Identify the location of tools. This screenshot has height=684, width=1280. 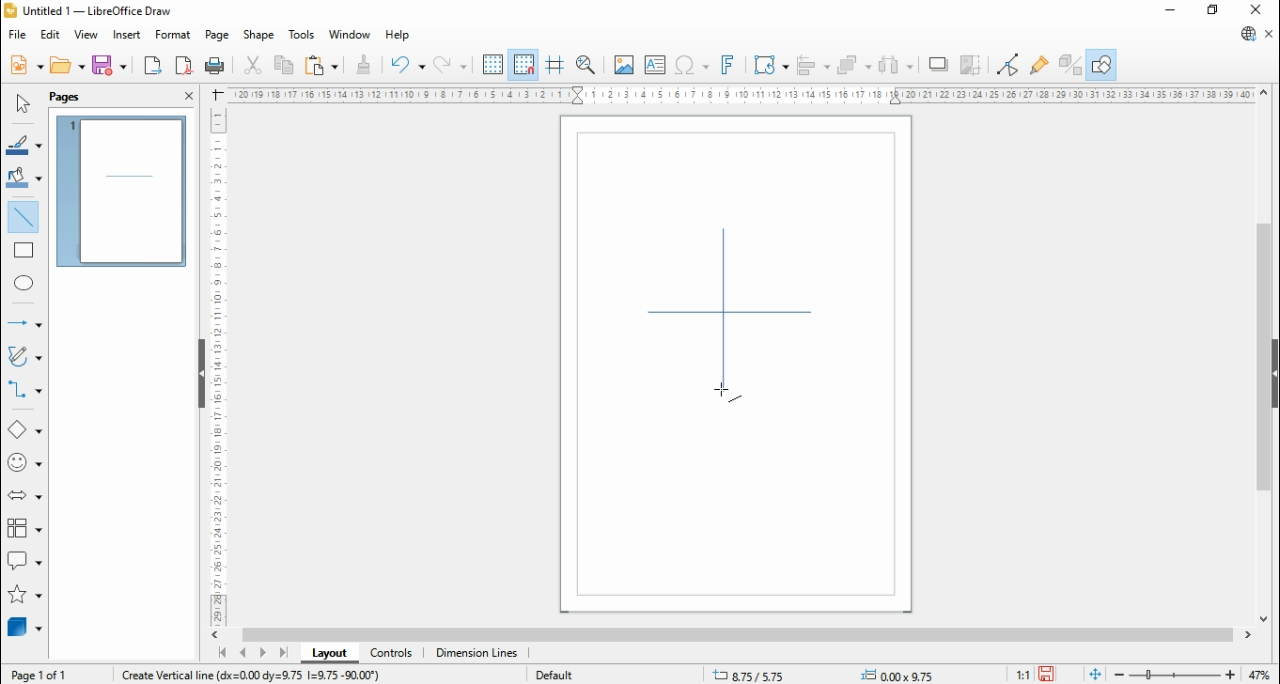
(303, 35).